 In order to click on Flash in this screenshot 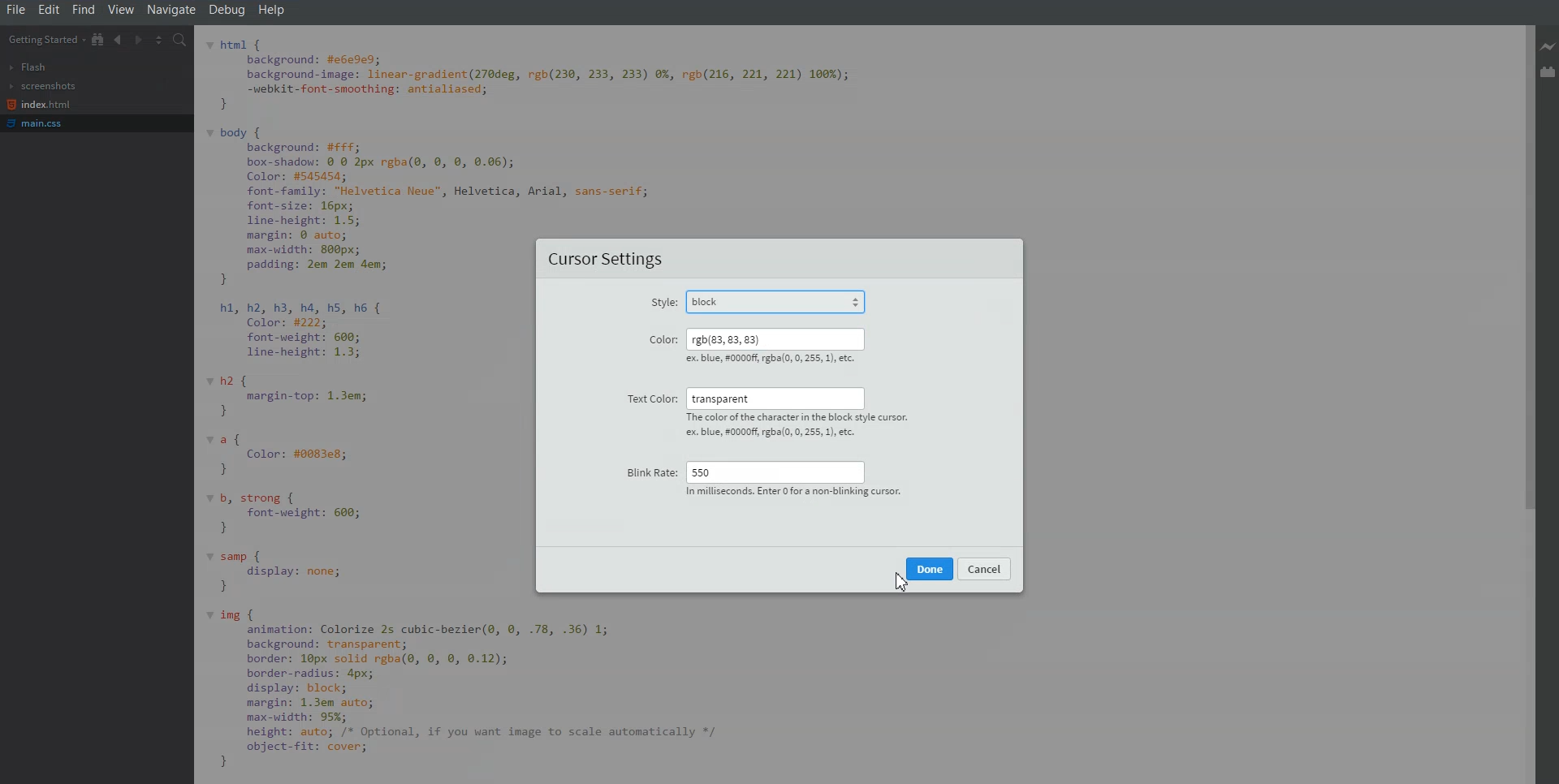, I will do `click(29, 67)`.